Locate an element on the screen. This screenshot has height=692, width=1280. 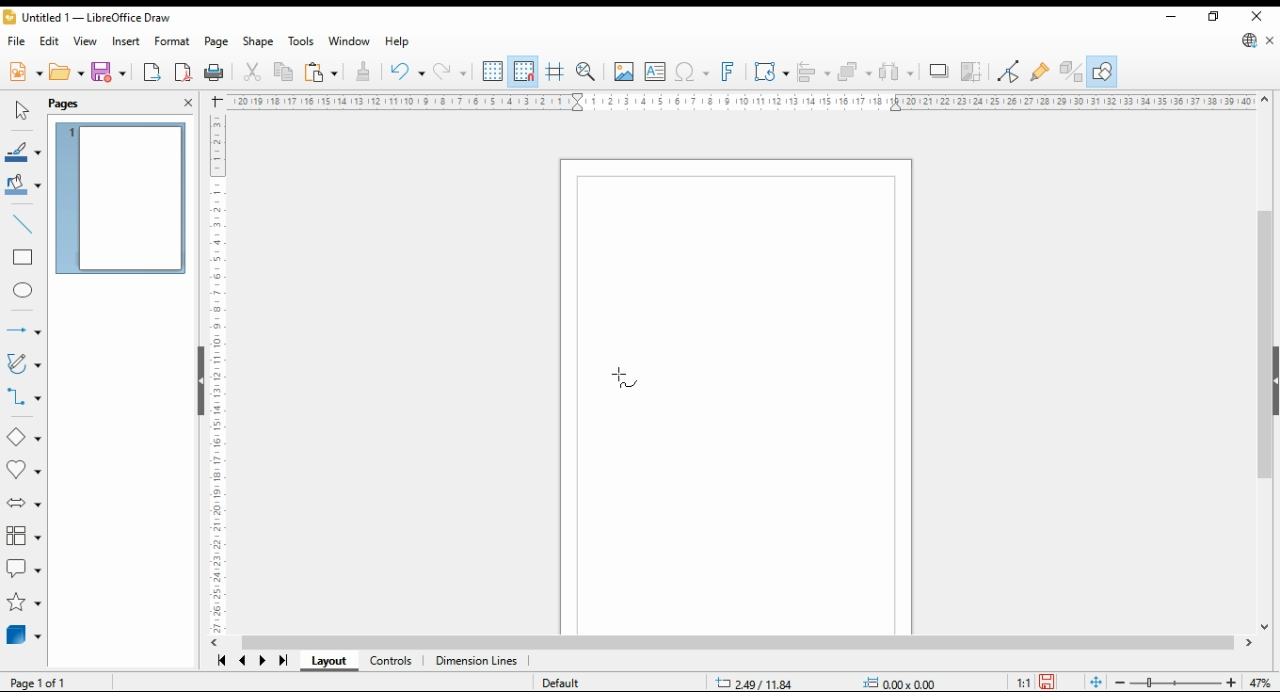
callout shapes is located at coordinates (23, 568).